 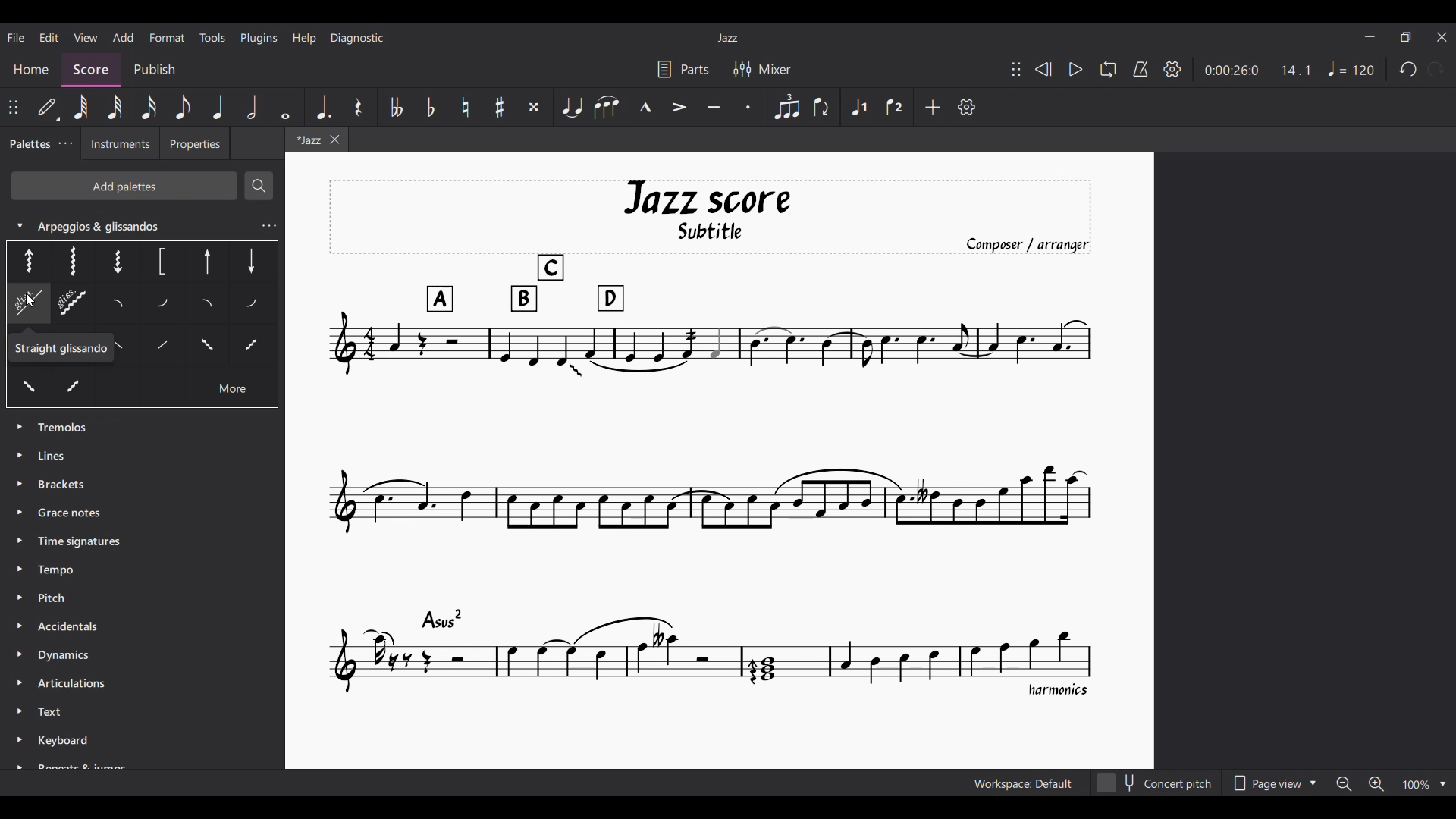 I want to click on 64th note, so click(x=80, y=106).